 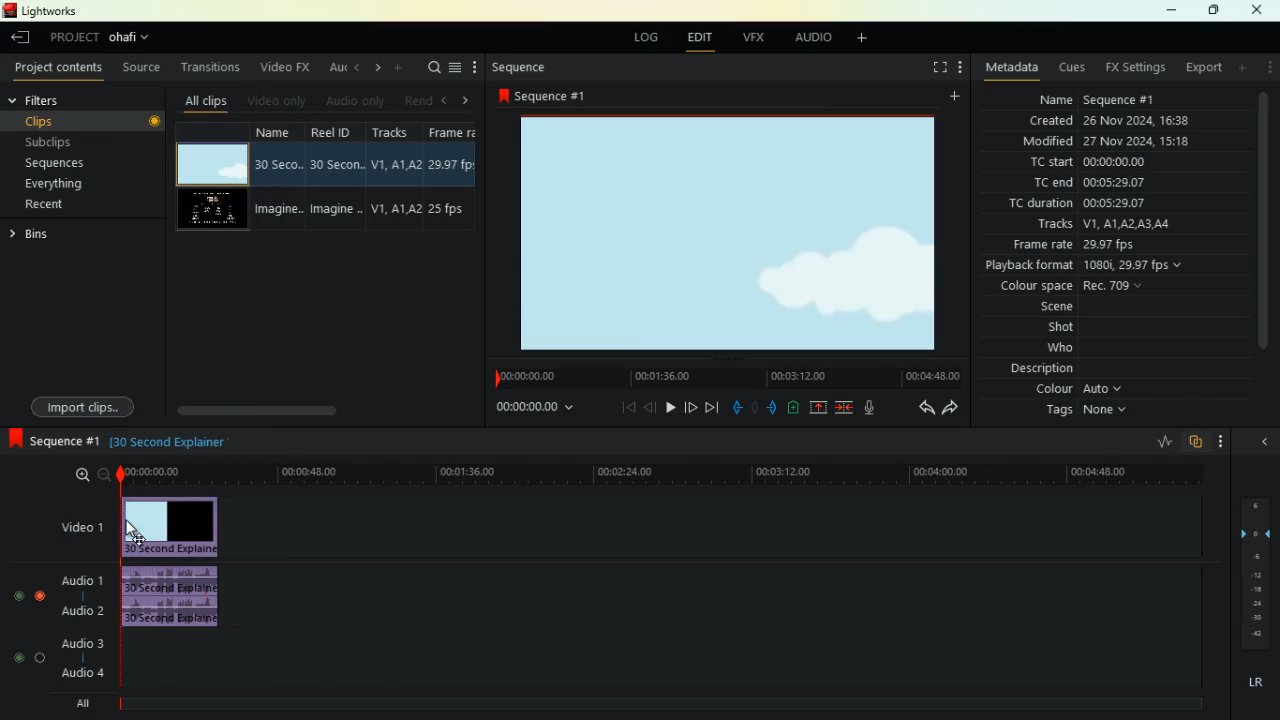 What do you see at coordinates (399, 68) in the screenshot?
I see `add` at bounding box center [399, 68].